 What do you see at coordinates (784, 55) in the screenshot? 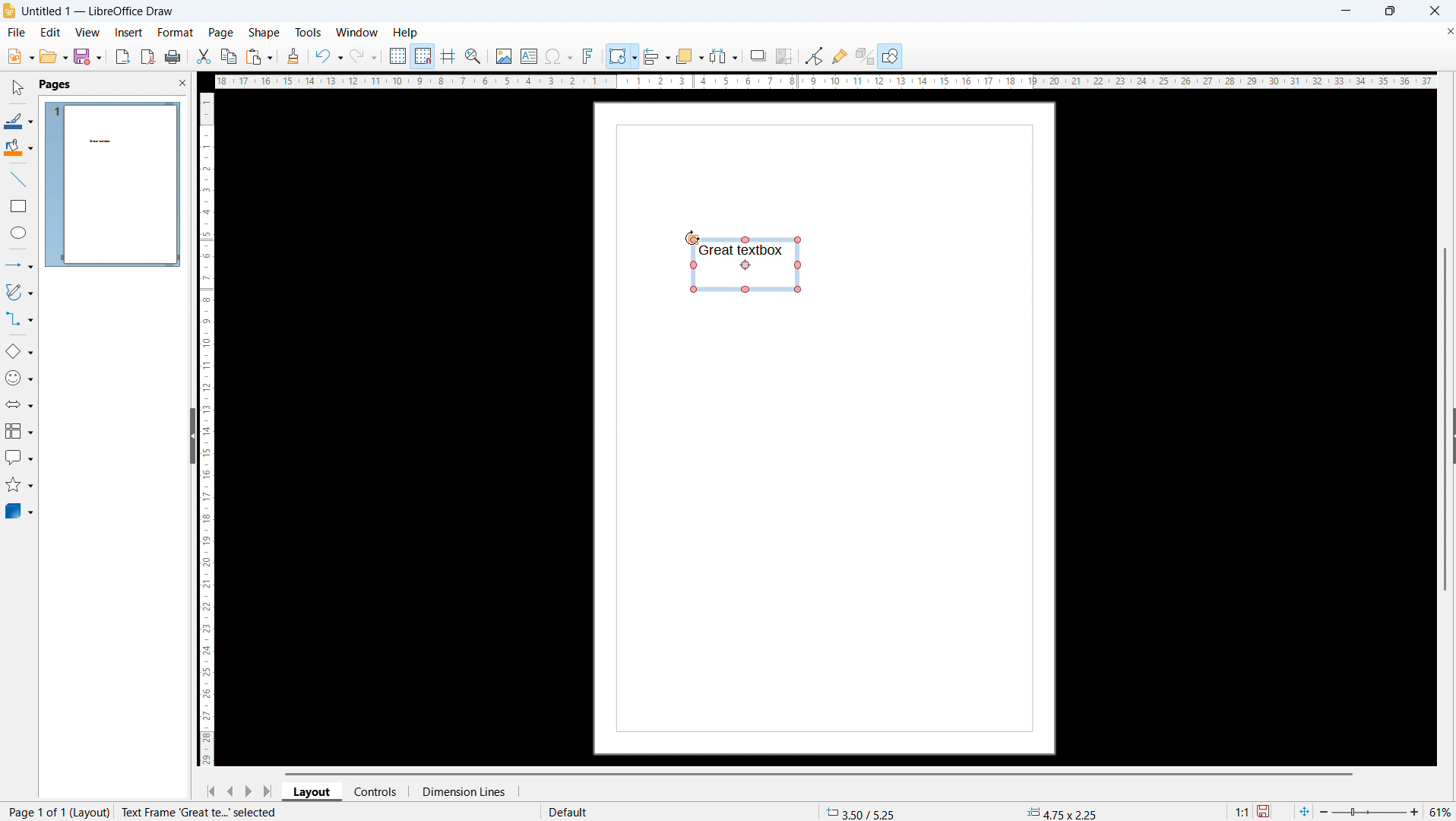
I see `crop image` at bounding box center [784, 55].